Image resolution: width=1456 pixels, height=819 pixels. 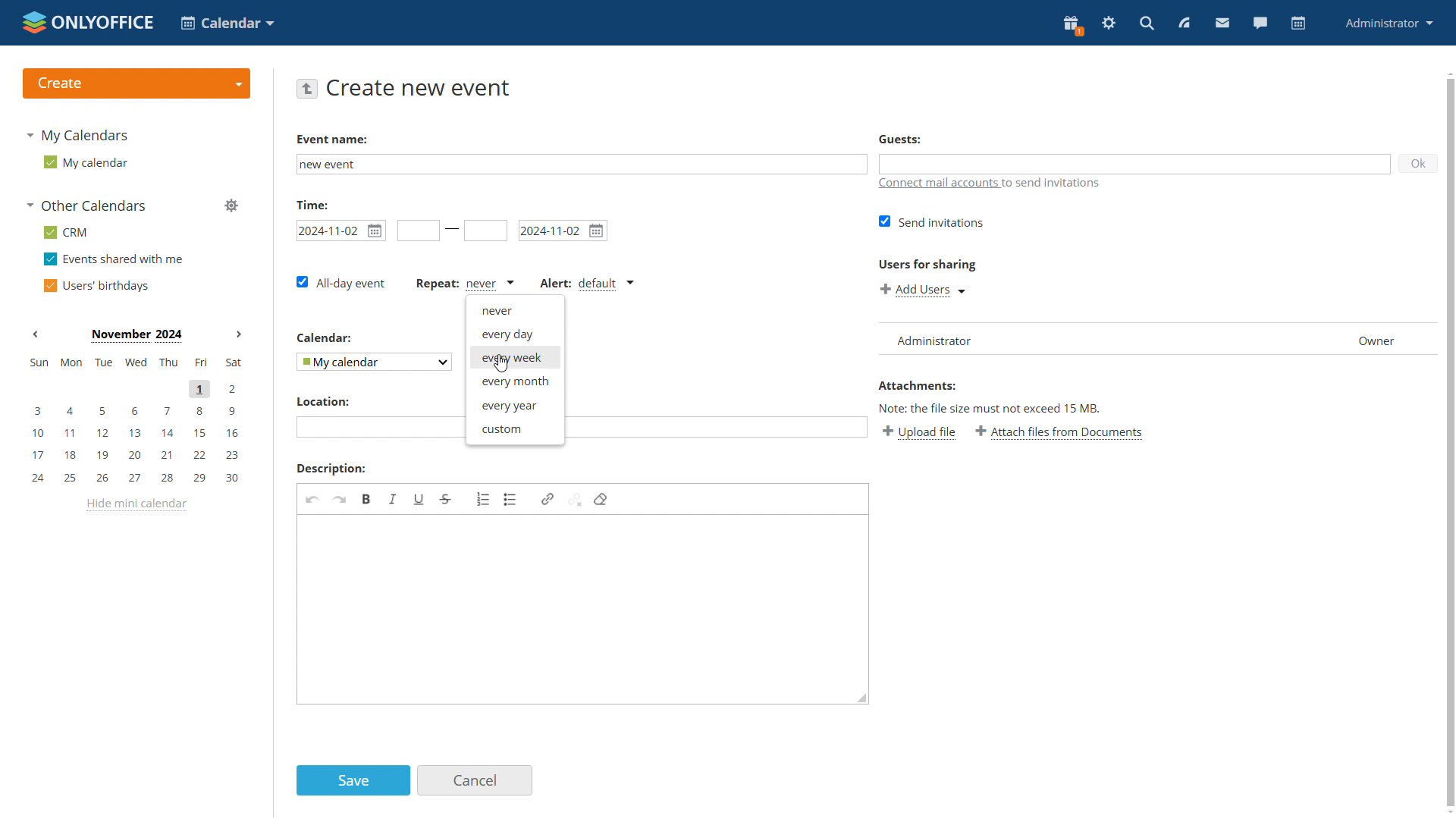 I want to click on time, so click(x=312, y=203).